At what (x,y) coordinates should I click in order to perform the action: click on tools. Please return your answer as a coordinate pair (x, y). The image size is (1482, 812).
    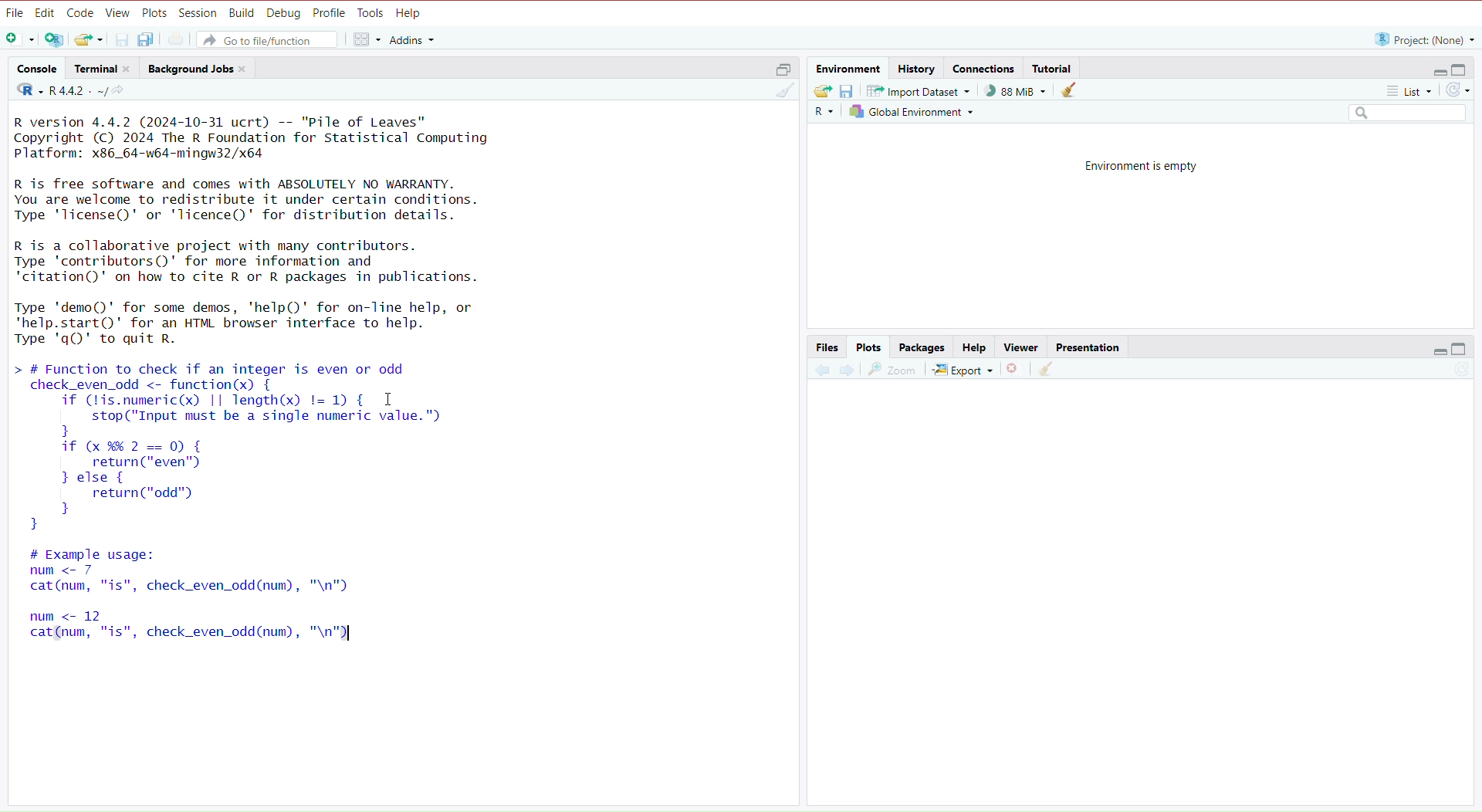
    Looking at the image, I should click on (371, 13).